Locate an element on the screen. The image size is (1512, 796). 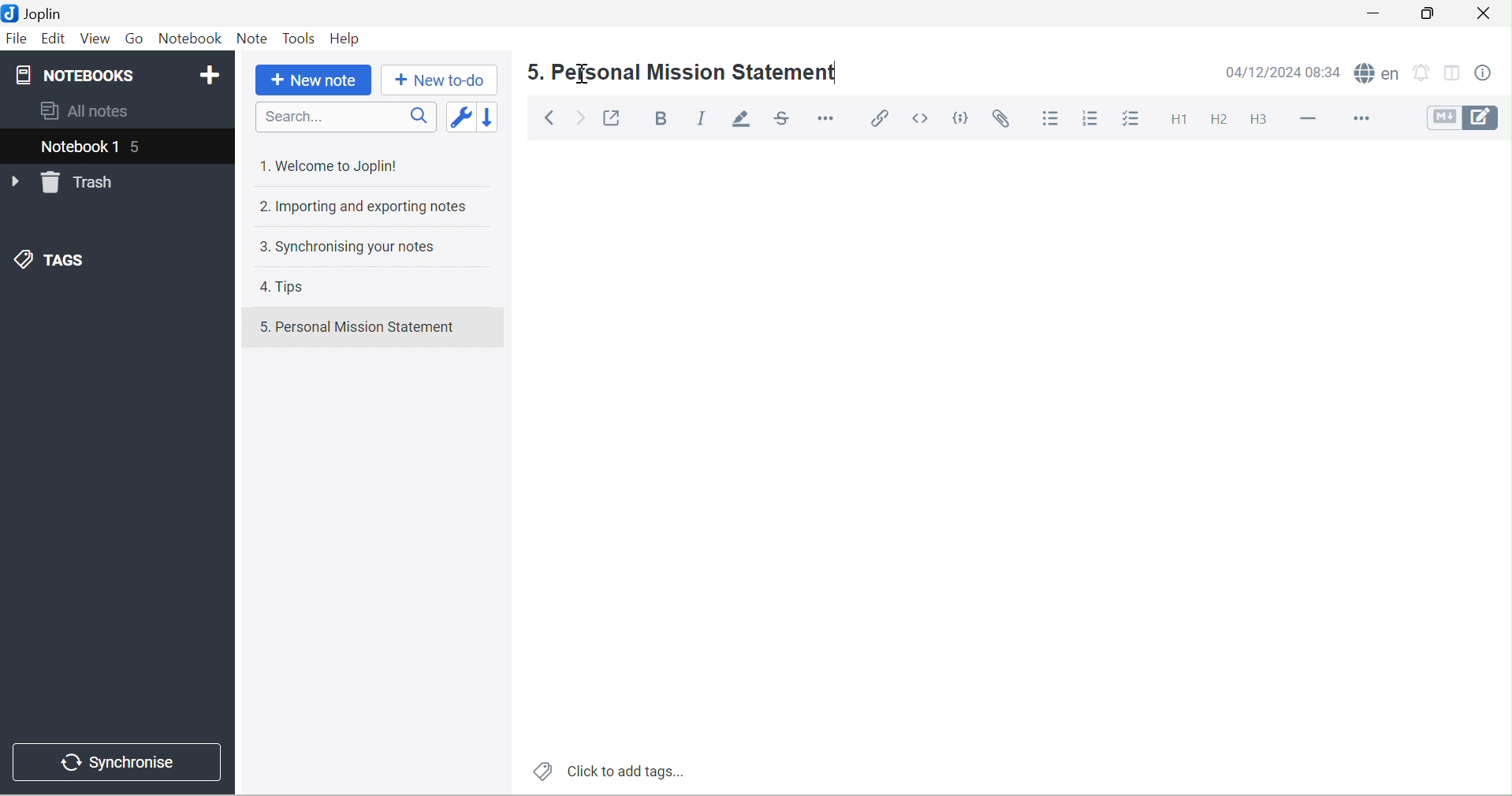
3. Synchronising your notes is located at coordinates (351, 250).